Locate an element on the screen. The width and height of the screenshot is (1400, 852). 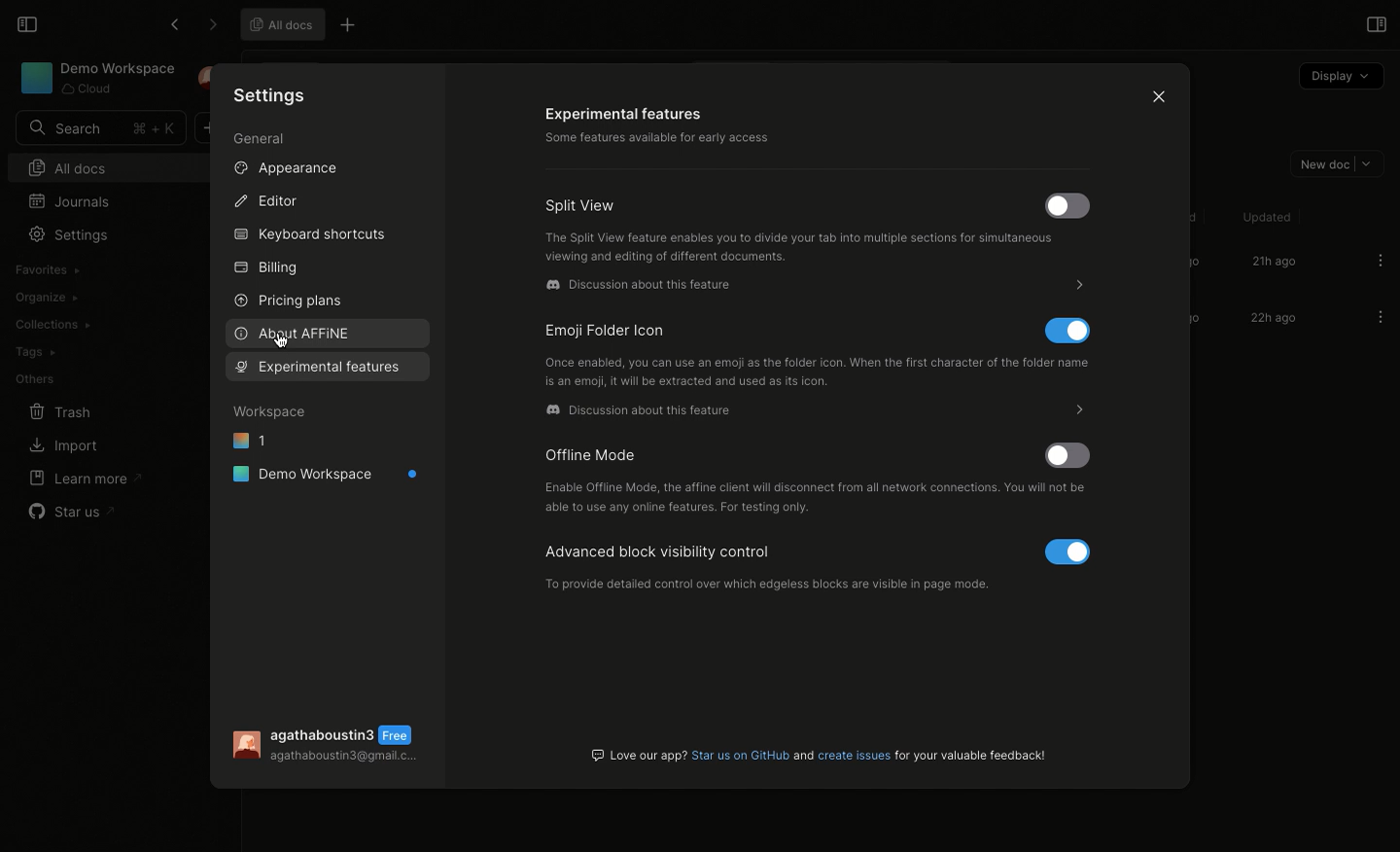
Demo workspace is located at coordinates (327, 474).